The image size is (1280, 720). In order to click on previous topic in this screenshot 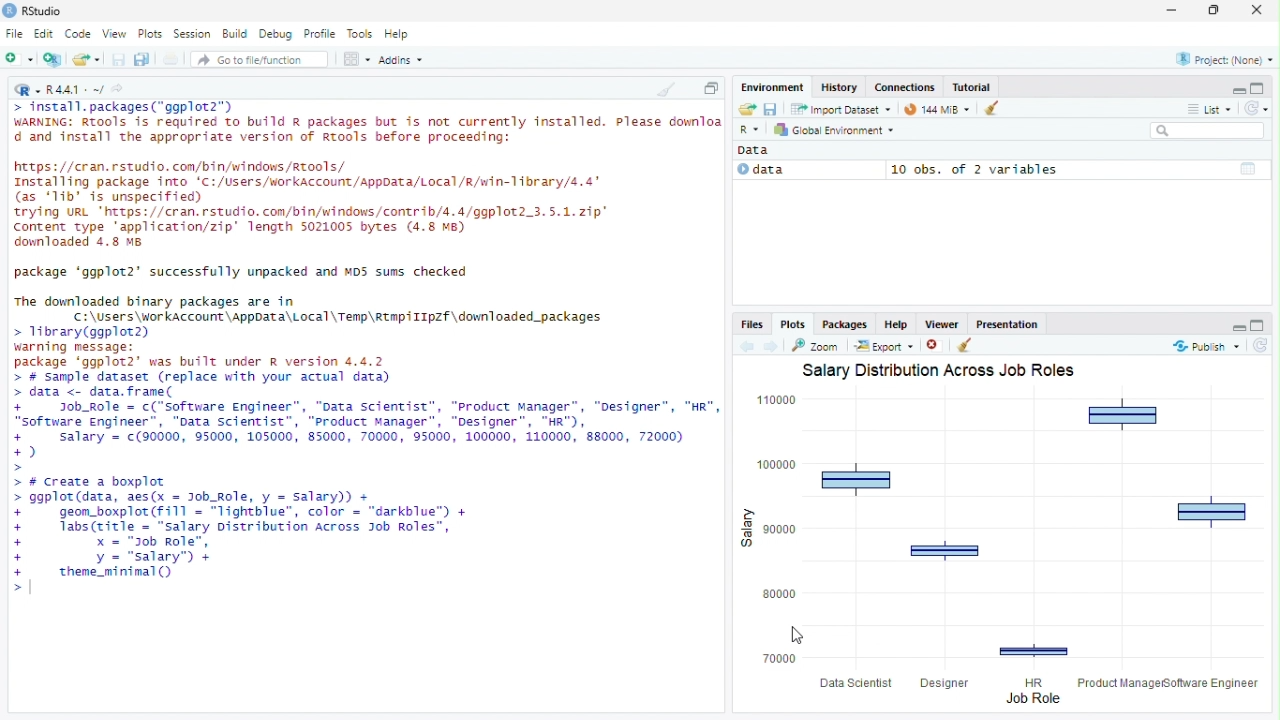, I will do `click(745, 347)`.